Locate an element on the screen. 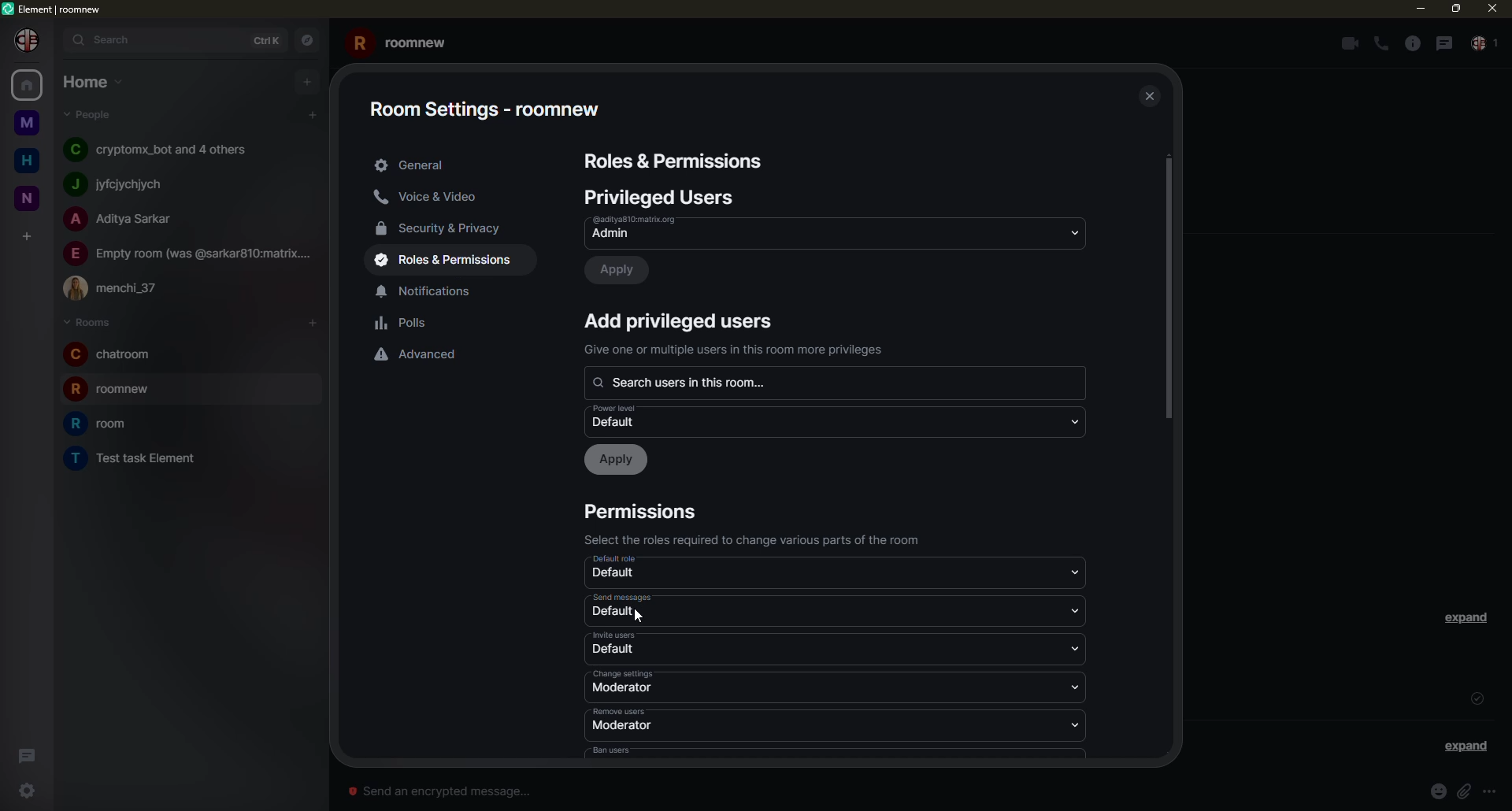 This screenshot has height=811, width=1512. video is located at coordinates (1347, 43).